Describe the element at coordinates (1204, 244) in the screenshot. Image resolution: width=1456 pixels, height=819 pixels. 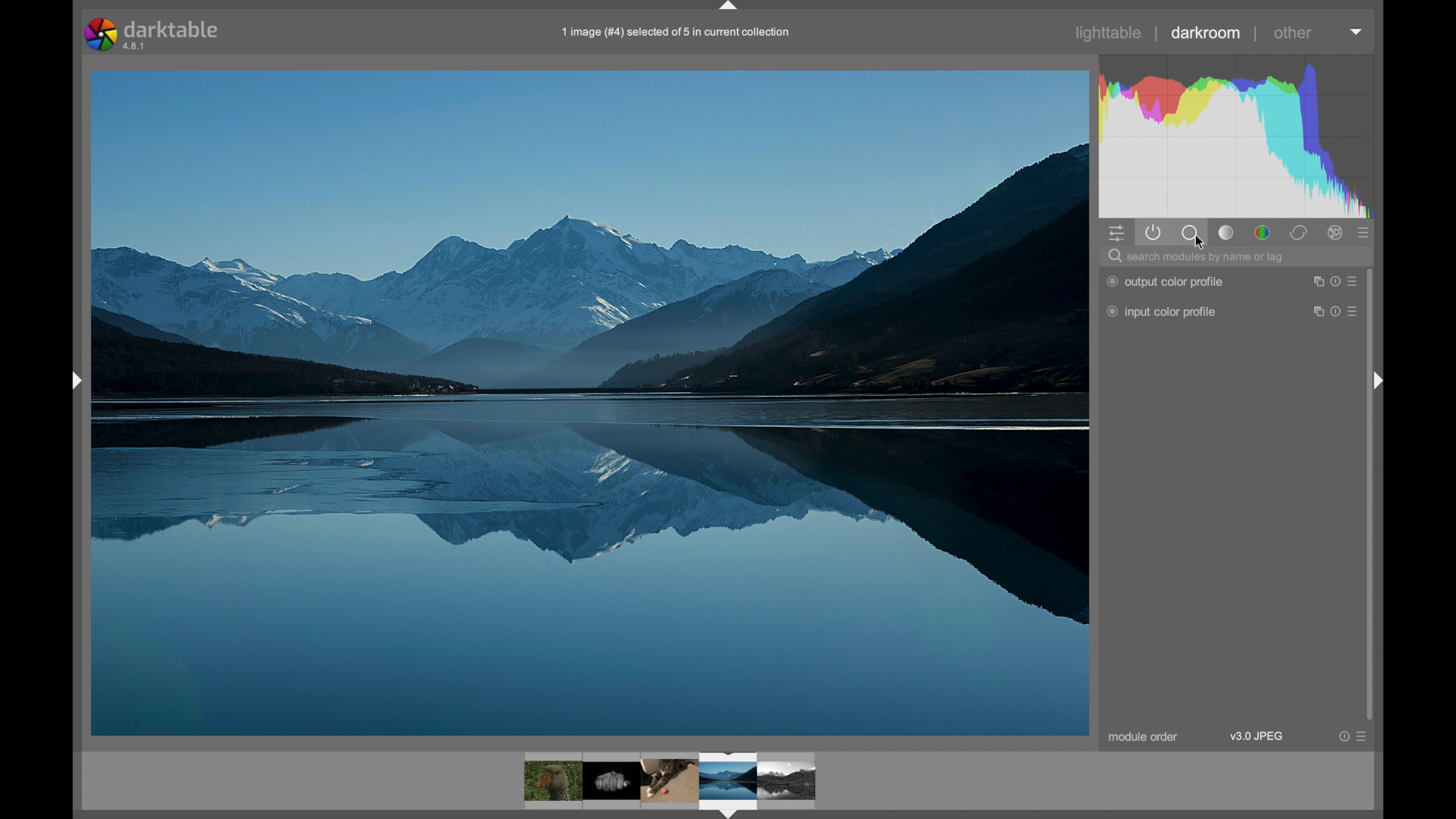
I see `cursor` at that location.